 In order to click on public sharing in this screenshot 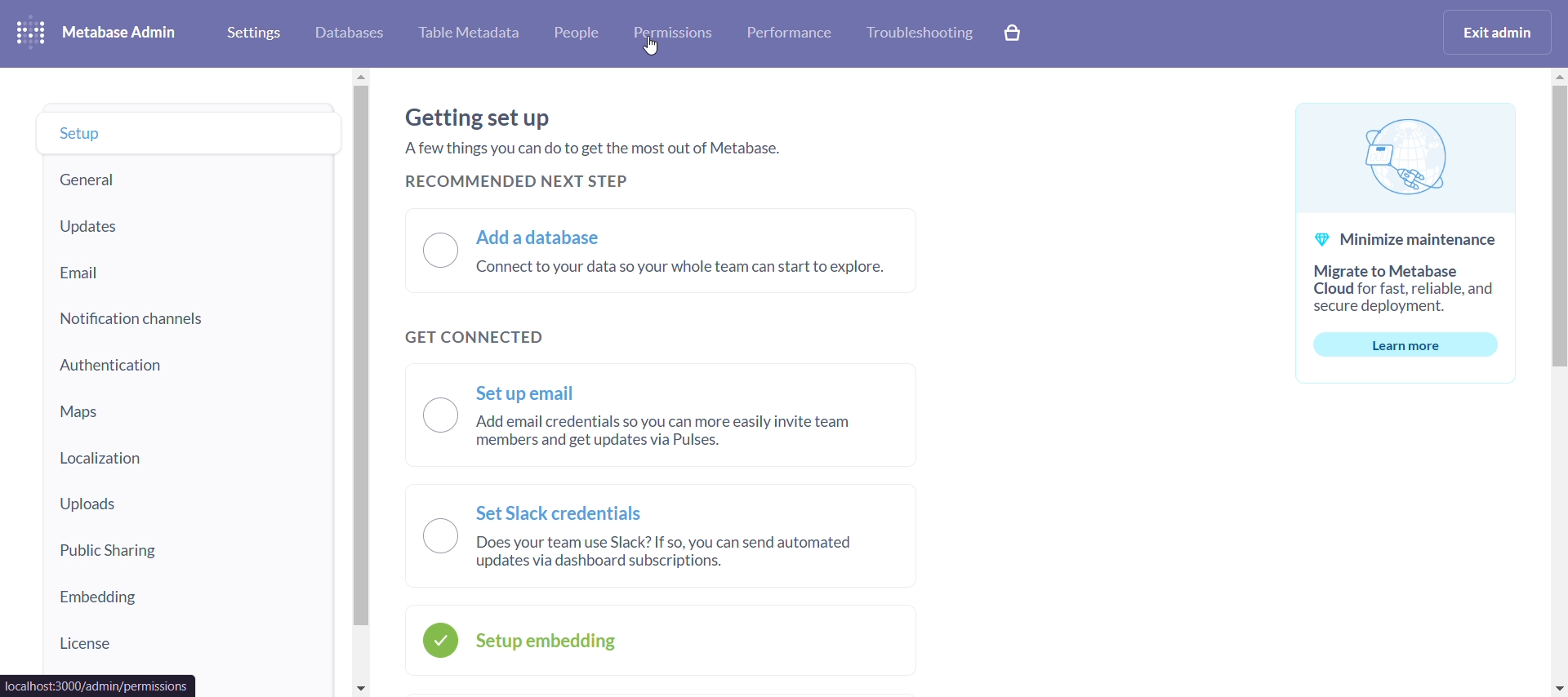, I will do `click(186, 550)`.